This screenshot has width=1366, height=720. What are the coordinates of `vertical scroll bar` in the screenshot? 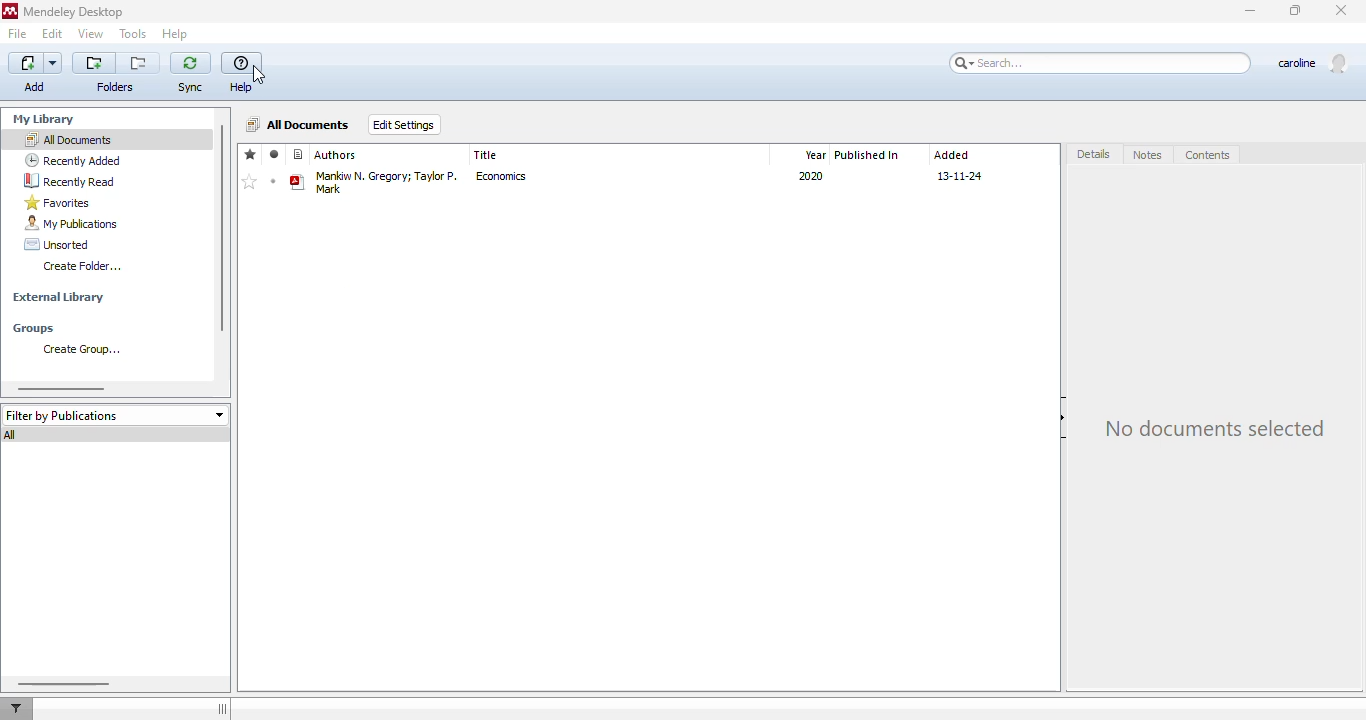 It's located at (223, 228).